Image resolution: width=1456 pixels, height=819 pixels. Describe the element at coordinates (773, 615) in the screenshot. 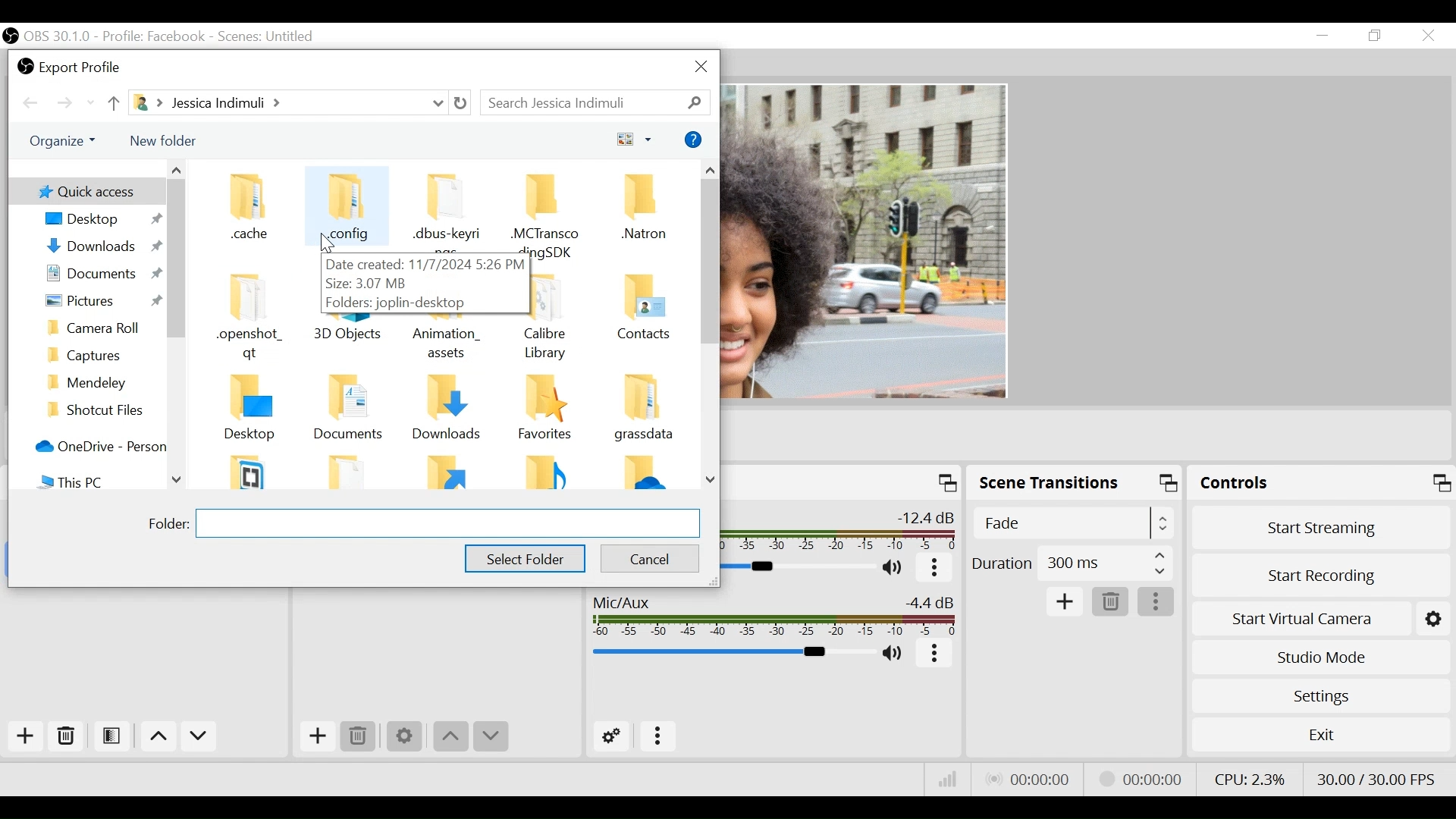

I see `Mic/Aux ` at that location.